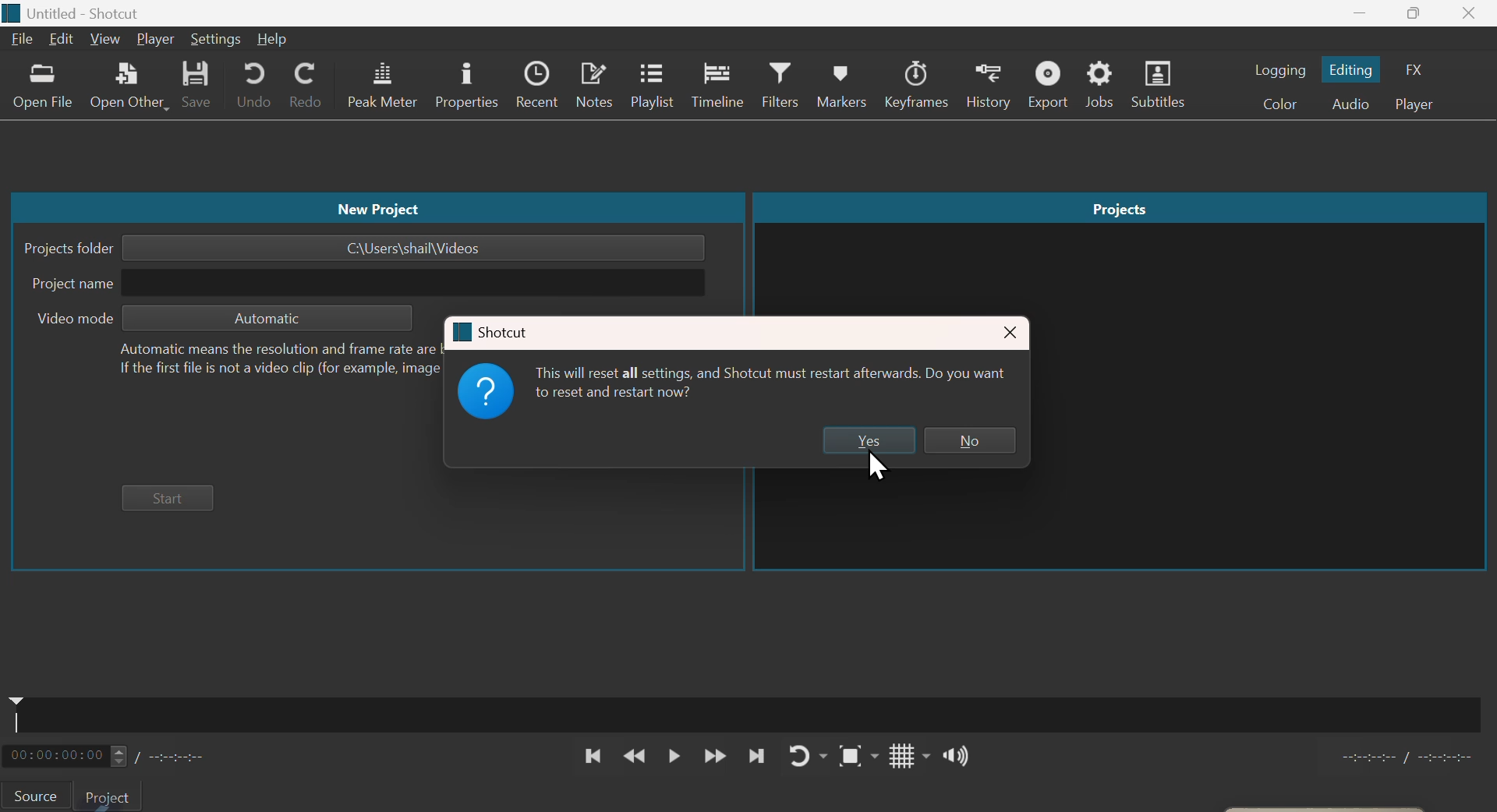 The height and width of the screenshot is (812, 1497). What do you see at coordinates (1422, 104) in the screenshot?
I see `Player` at bounding box center [1422, 104].